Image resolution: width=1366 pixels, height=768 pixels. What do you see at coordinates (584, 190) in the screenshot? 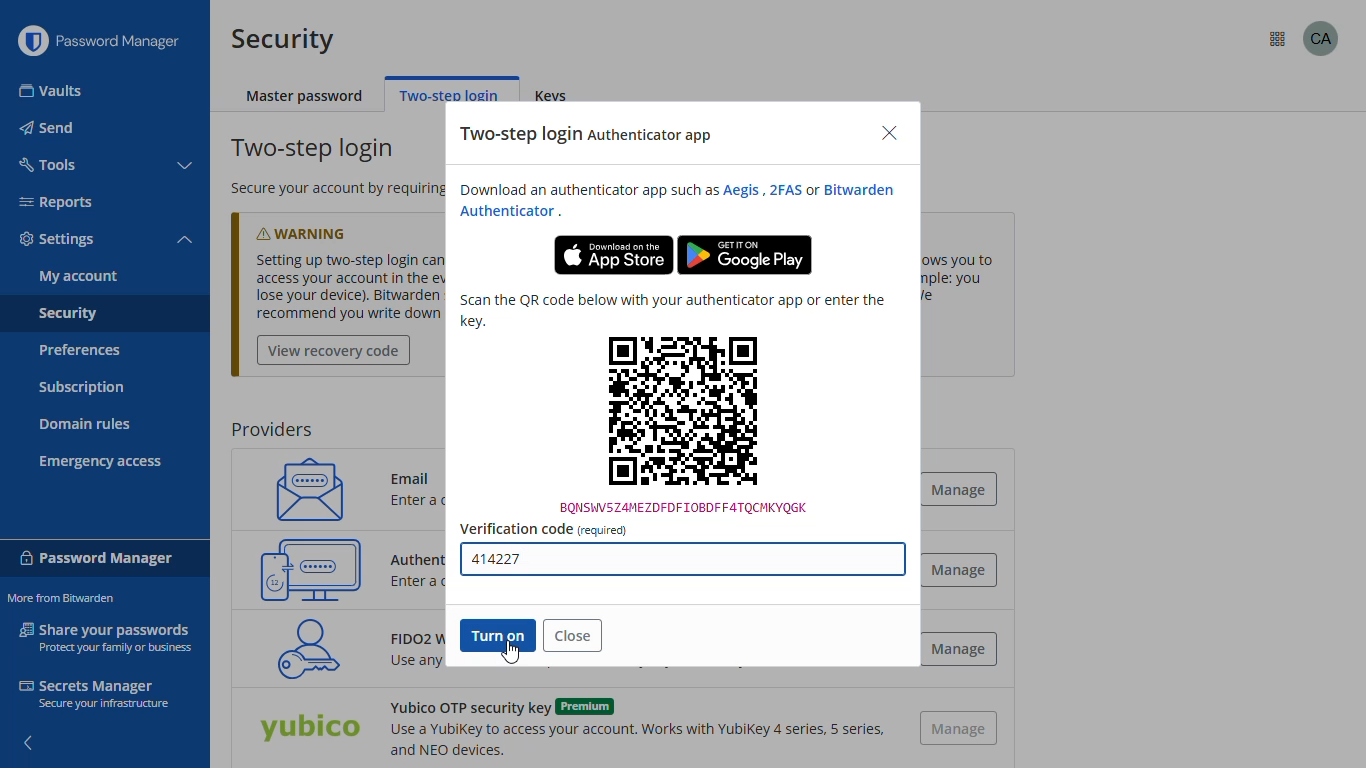
I see `download an authenticator app such as` at bounding box center [584, 190].